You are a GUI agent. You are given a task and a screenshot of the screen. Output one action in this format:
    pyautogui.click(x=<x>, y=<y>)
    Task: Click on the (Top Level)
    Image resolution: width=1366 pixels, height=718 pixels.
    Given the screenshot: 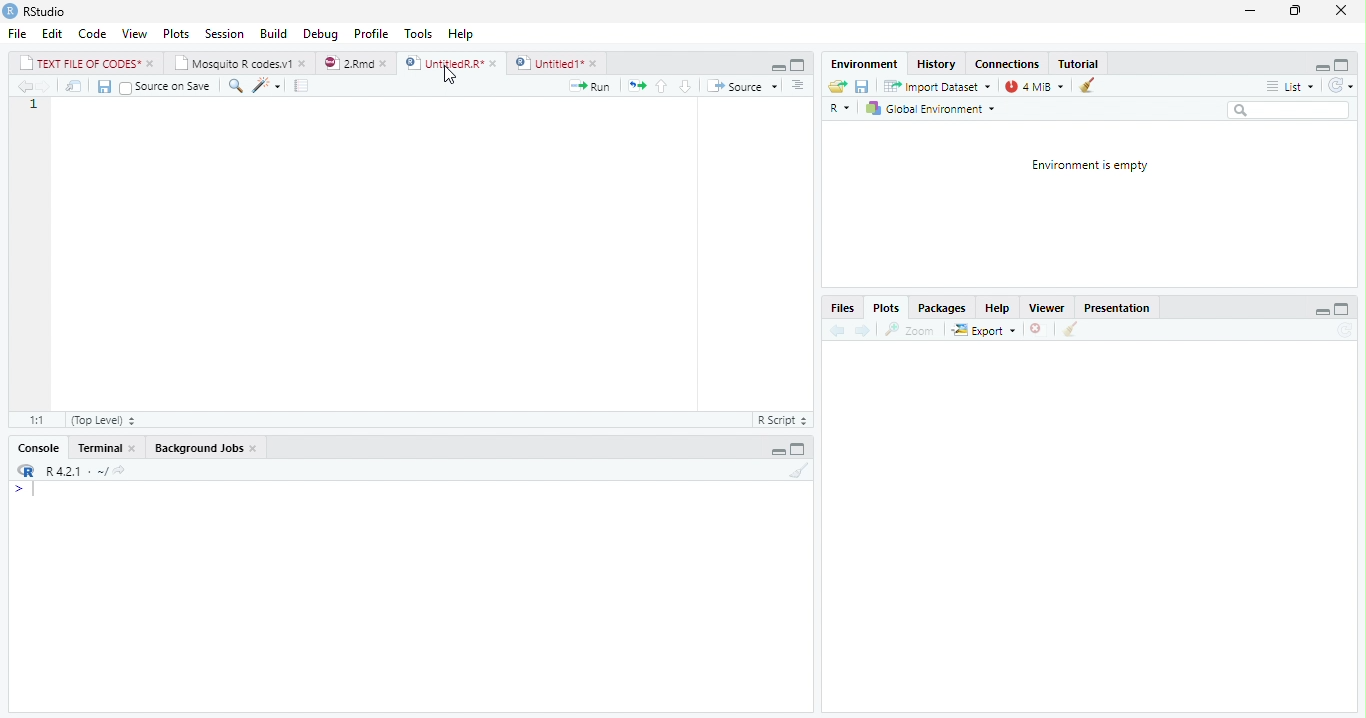 What is the action you would take?
    pyautogui.click(x=100, y=420)
    